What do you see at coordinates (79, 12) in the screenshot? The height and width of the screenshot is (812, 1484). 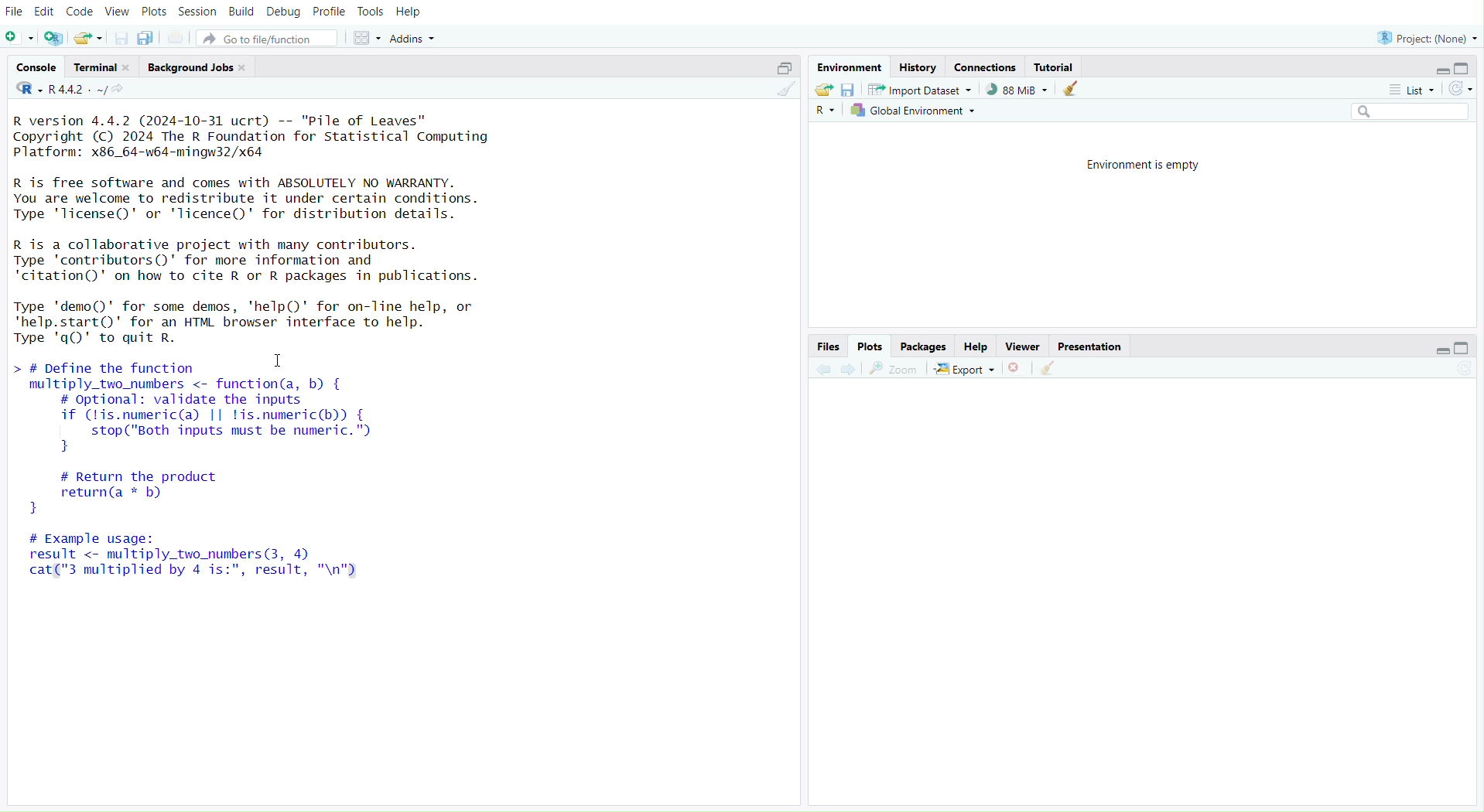 I see `Code` at bounding box center [79, 12].